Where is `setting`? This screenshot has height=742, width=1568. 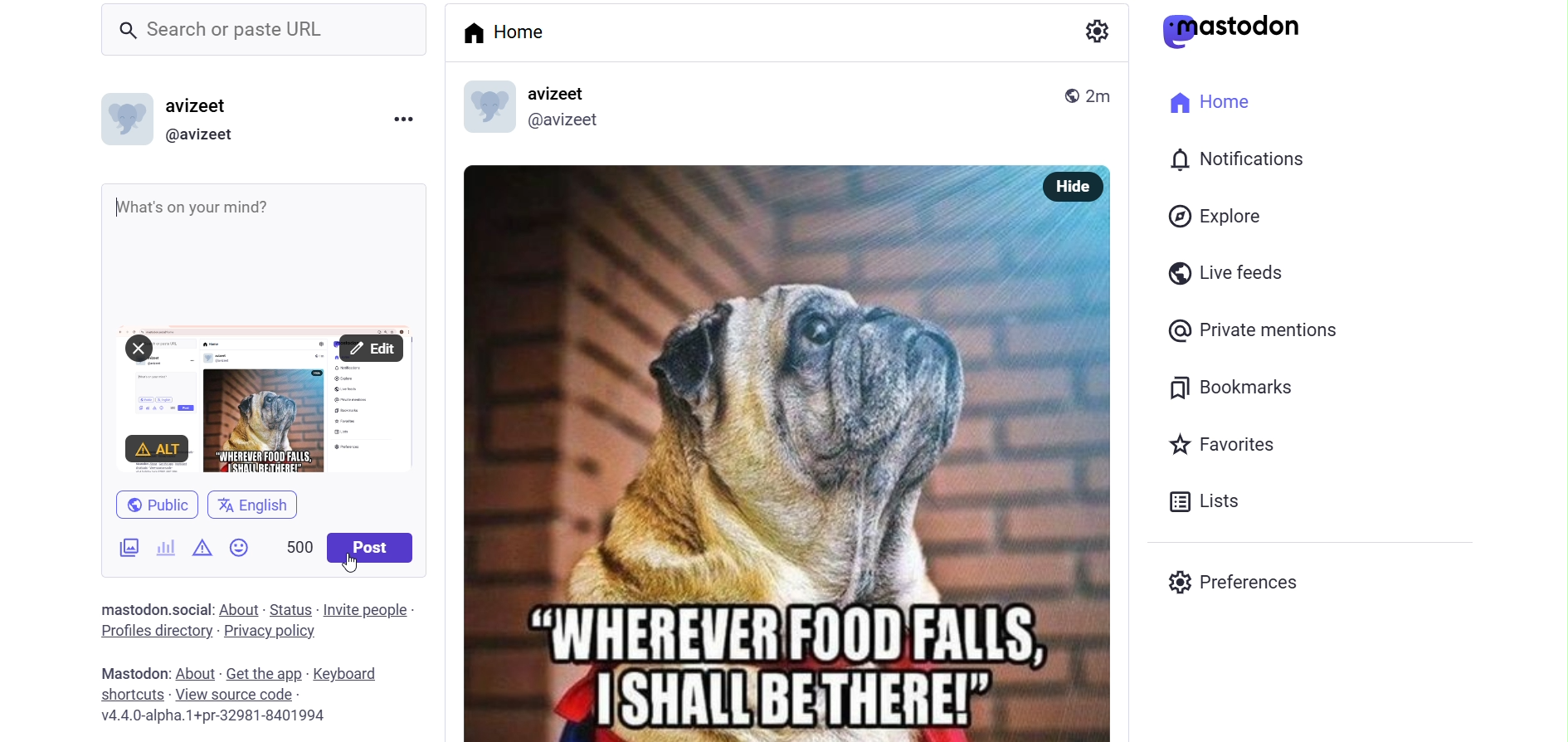
setting is located at coordinates (1092, 32).